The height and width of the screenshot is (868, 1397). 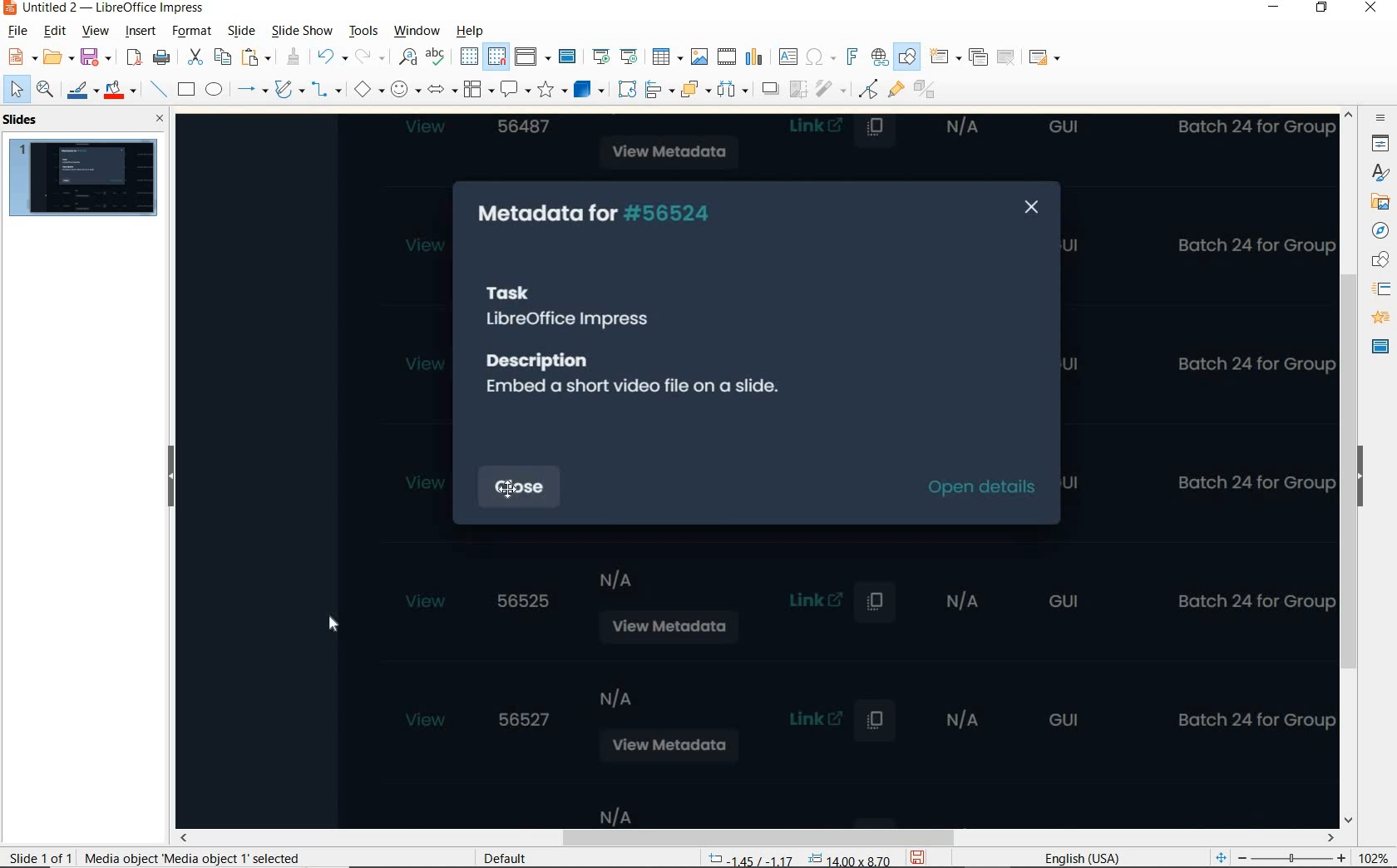 I want to click on cursor, so click(x=334, y=624).